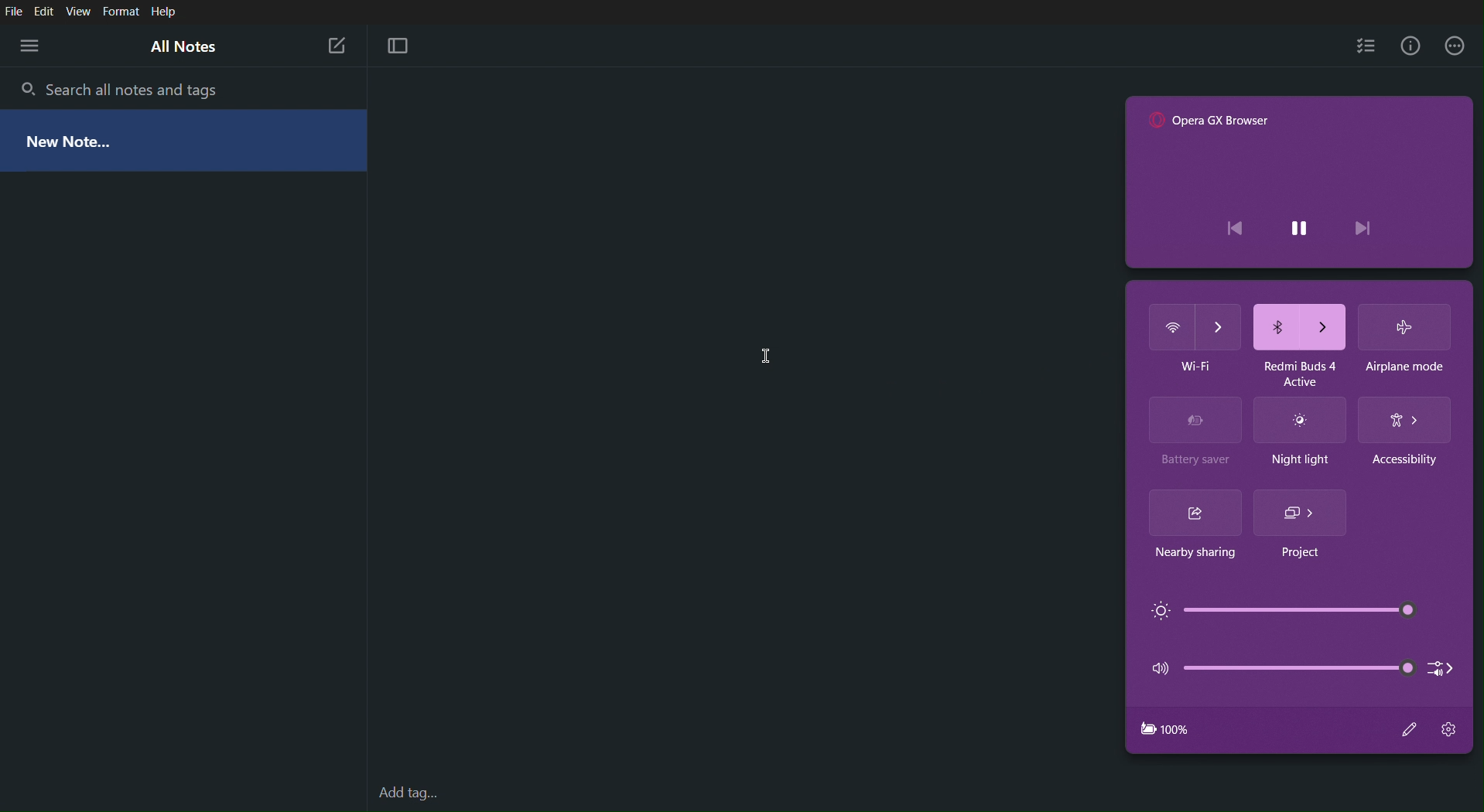 This screenshot has width=1484, height=812. I want to click on next, so click(1369, 227).